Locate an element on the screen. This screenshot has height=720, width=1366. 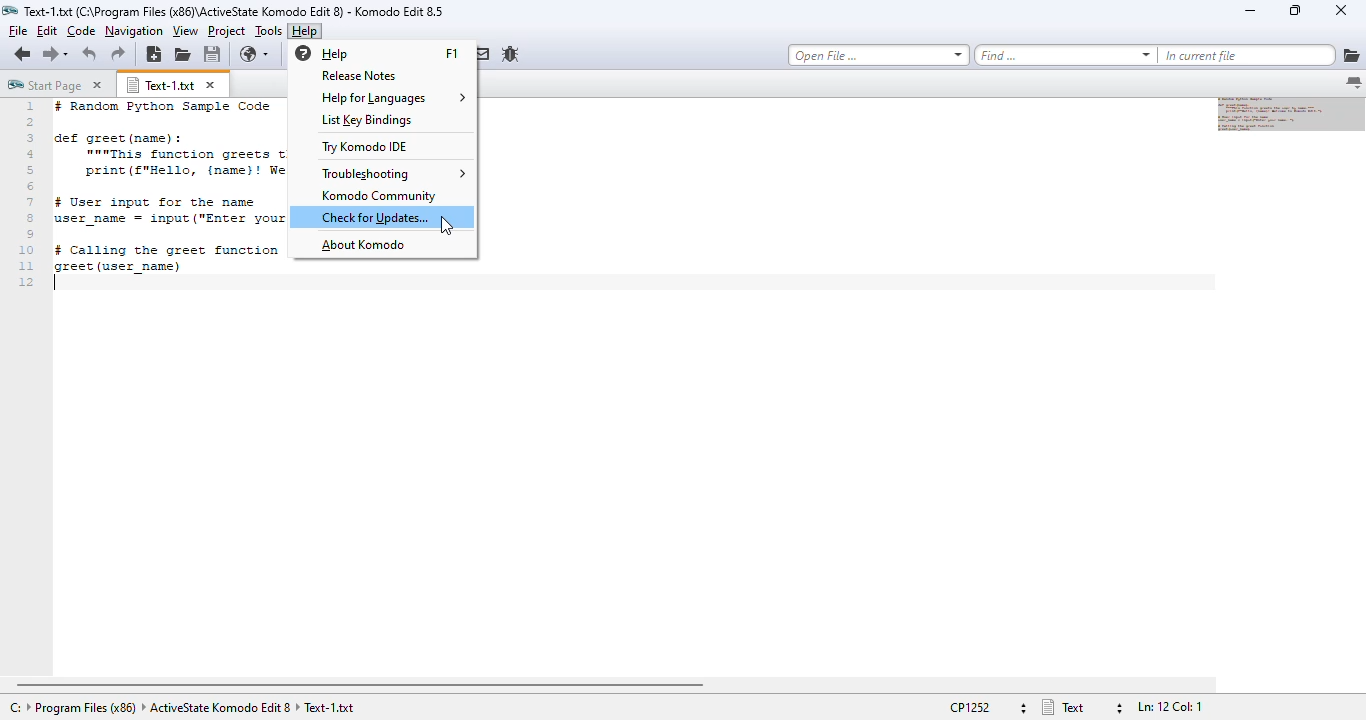
new file using default language is located at coordinates (155, 55).